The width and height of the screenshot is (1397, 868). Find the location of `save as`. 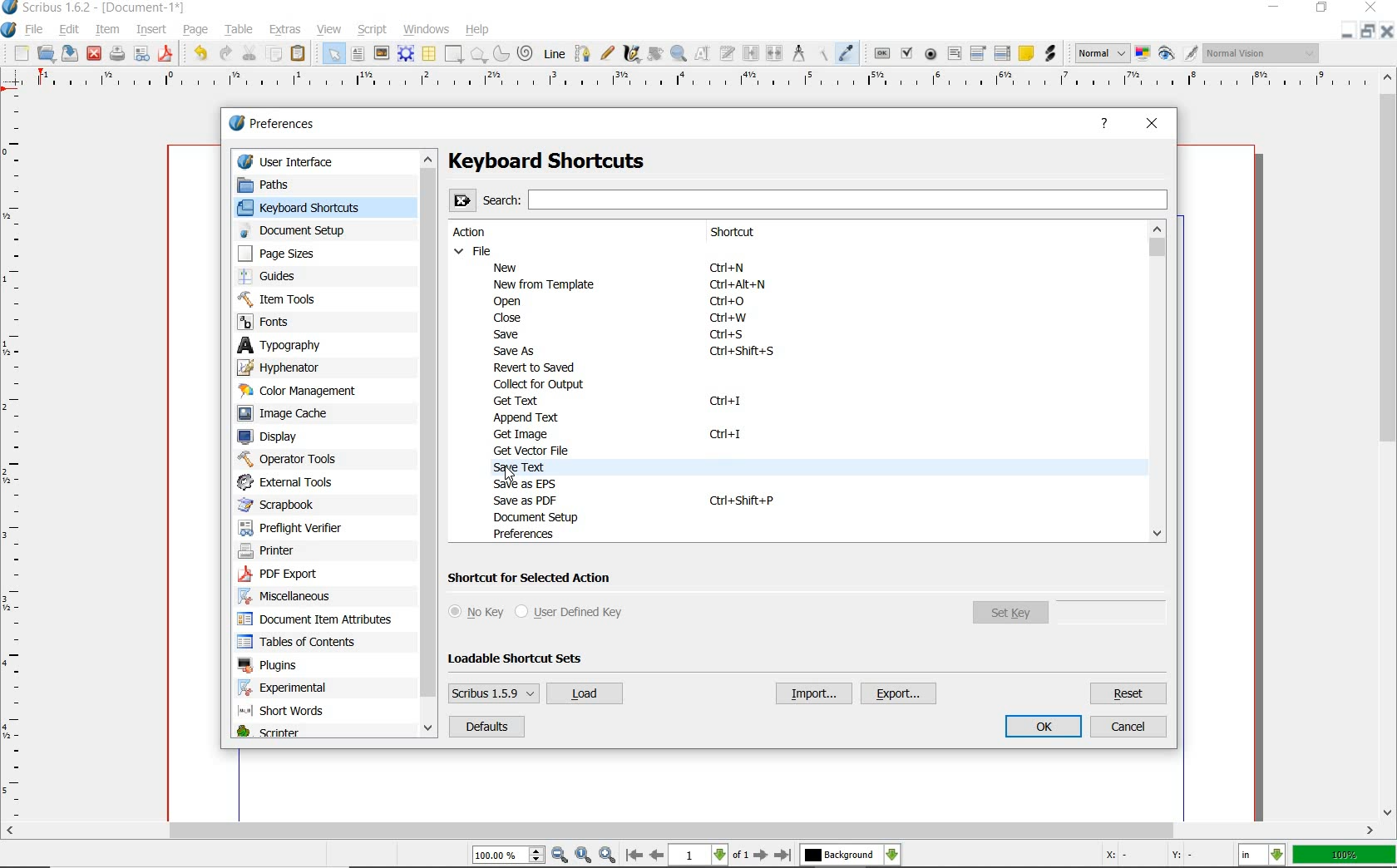

save as is located at coordinates (516, 352).